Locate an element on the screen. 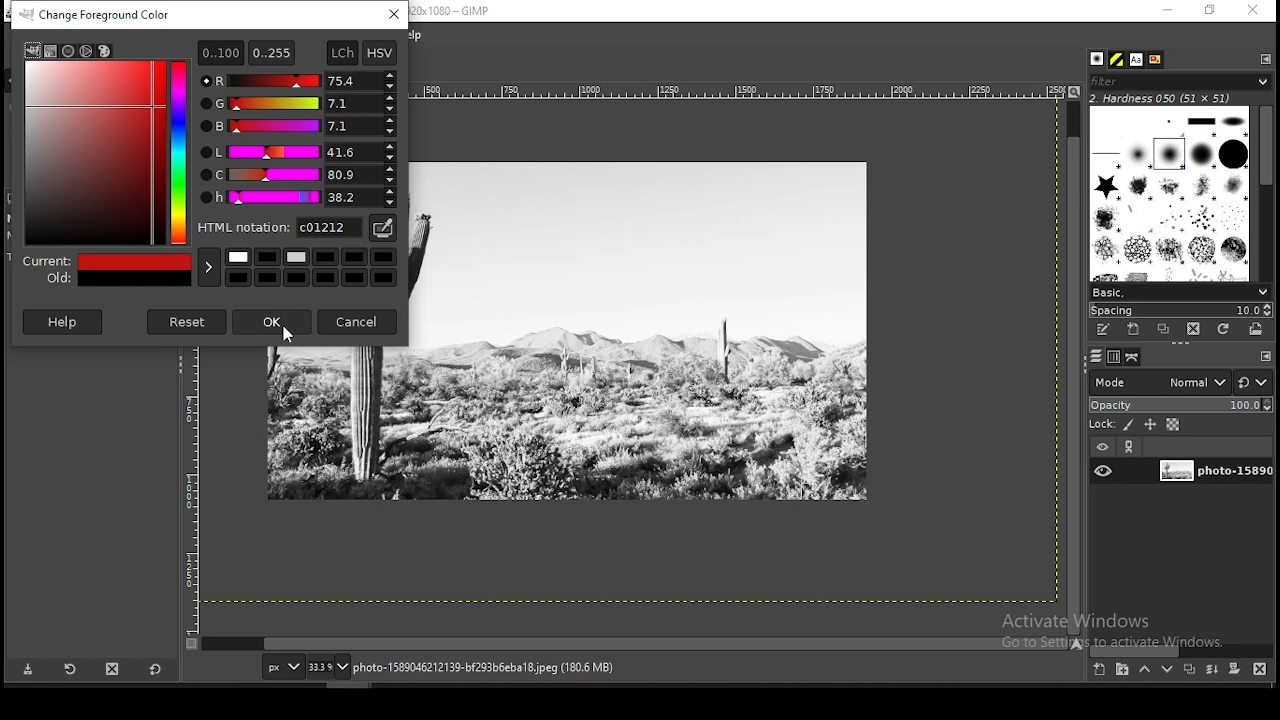 This screenshot has width=1280, height=720. brushes is located at coordinates (1171, 193).